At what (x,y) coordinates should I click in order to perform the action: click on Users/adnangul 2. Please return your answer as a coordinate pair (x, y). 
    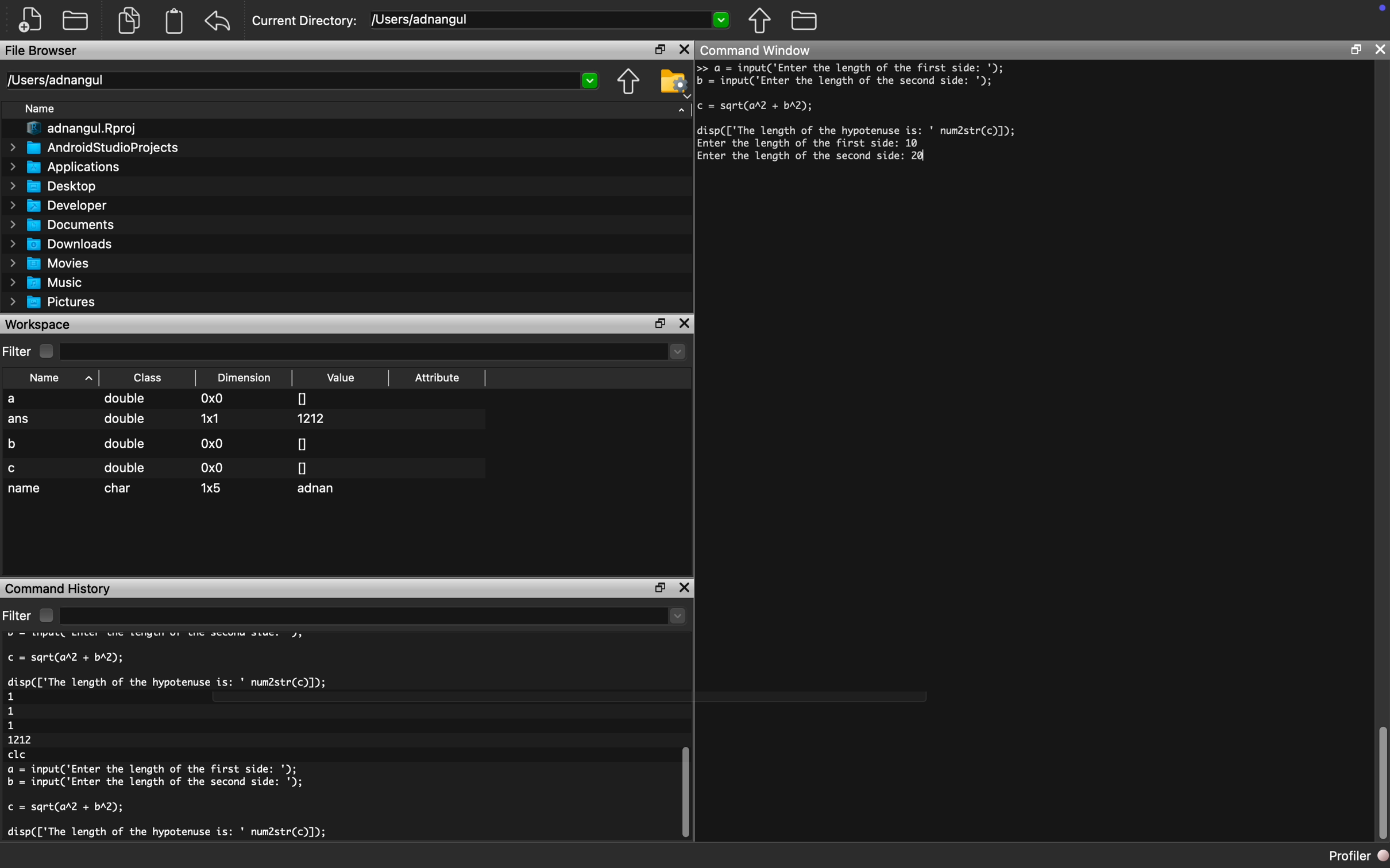
    Looking at the image, I should click on (301, 81).